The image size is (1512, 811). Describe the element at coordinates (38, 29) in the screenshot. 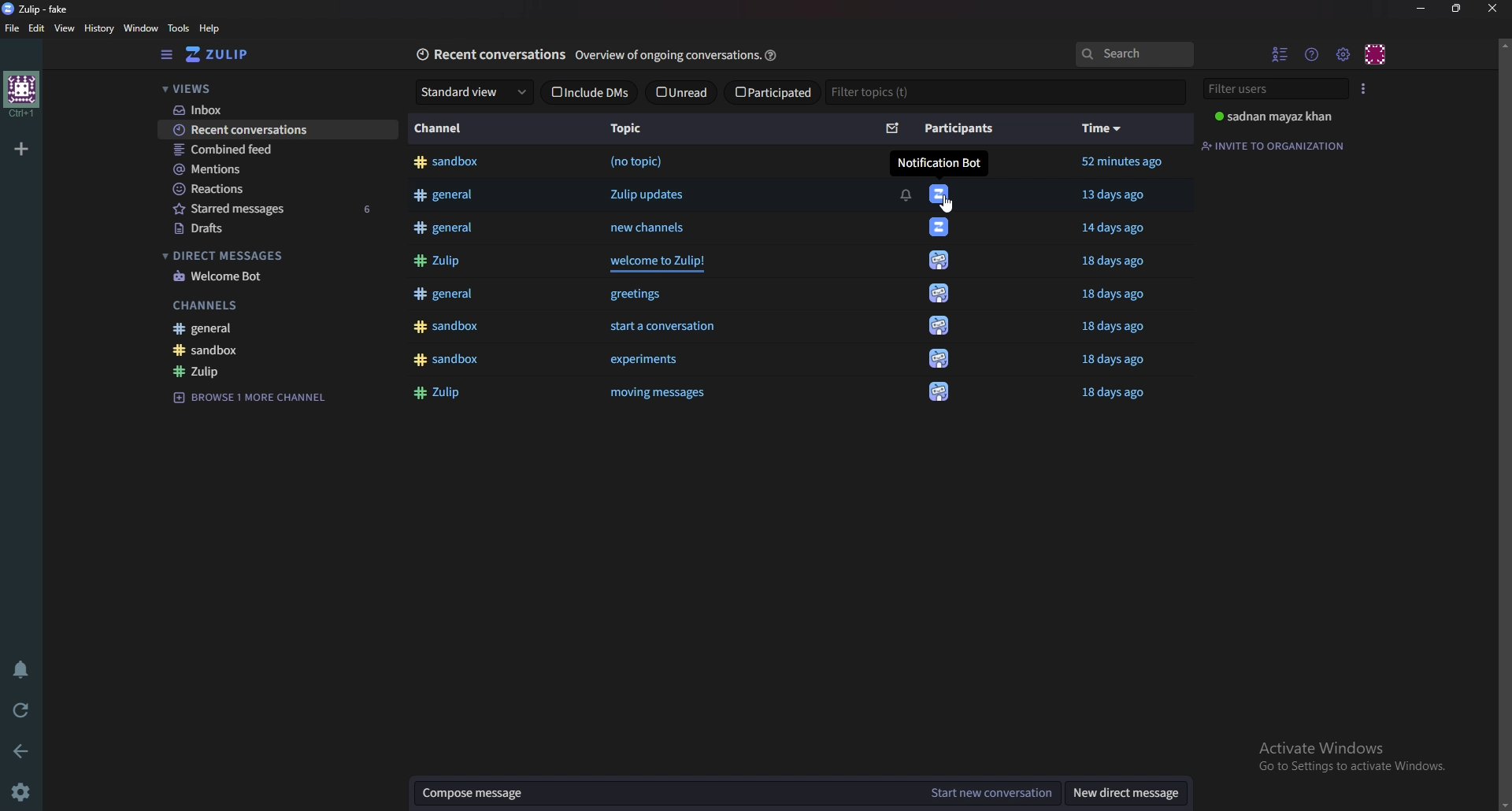

I see `Edit` at that location.